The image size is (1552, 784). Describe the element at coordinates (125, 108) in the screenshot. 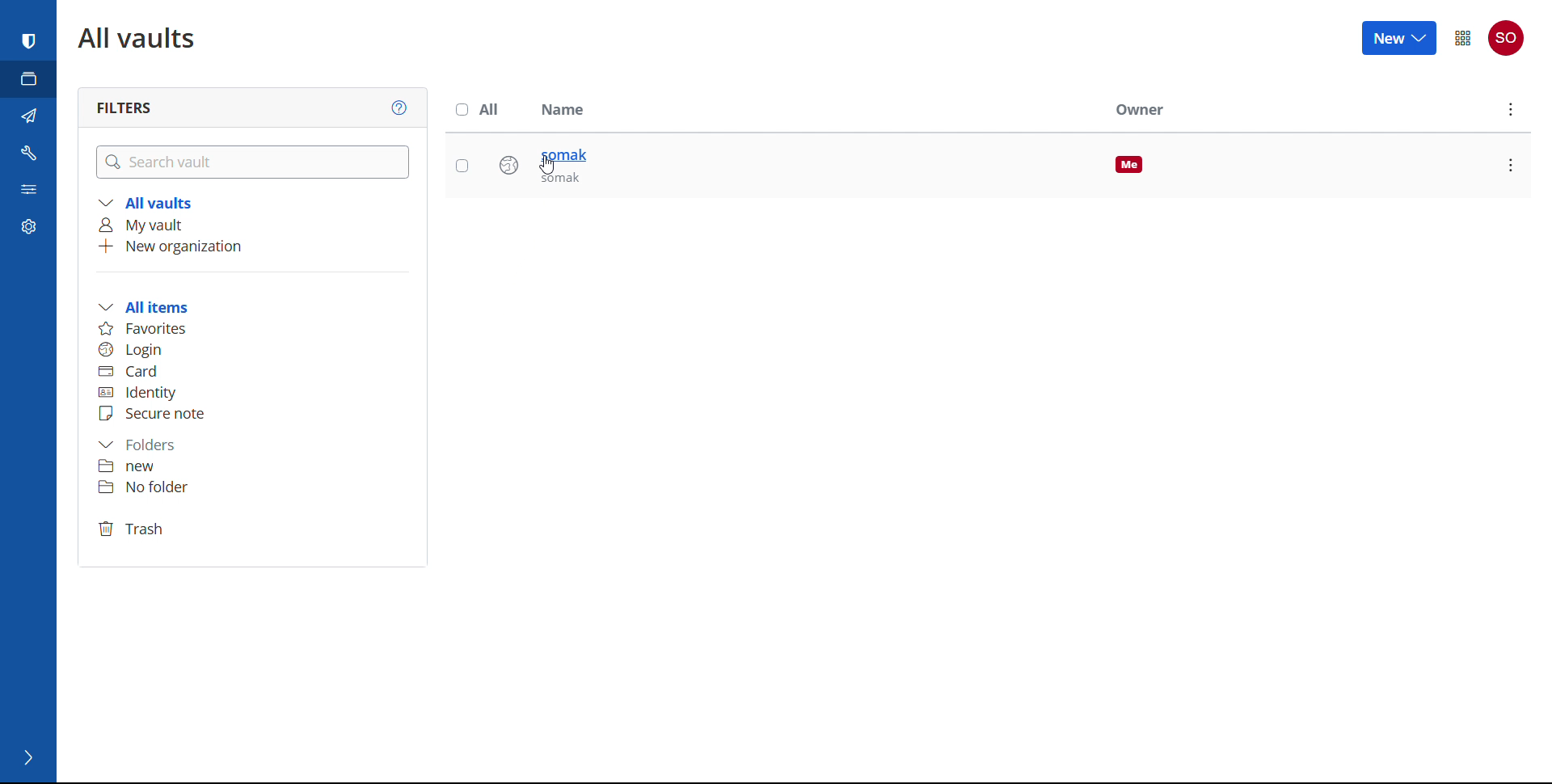

I see `filters` at that location.